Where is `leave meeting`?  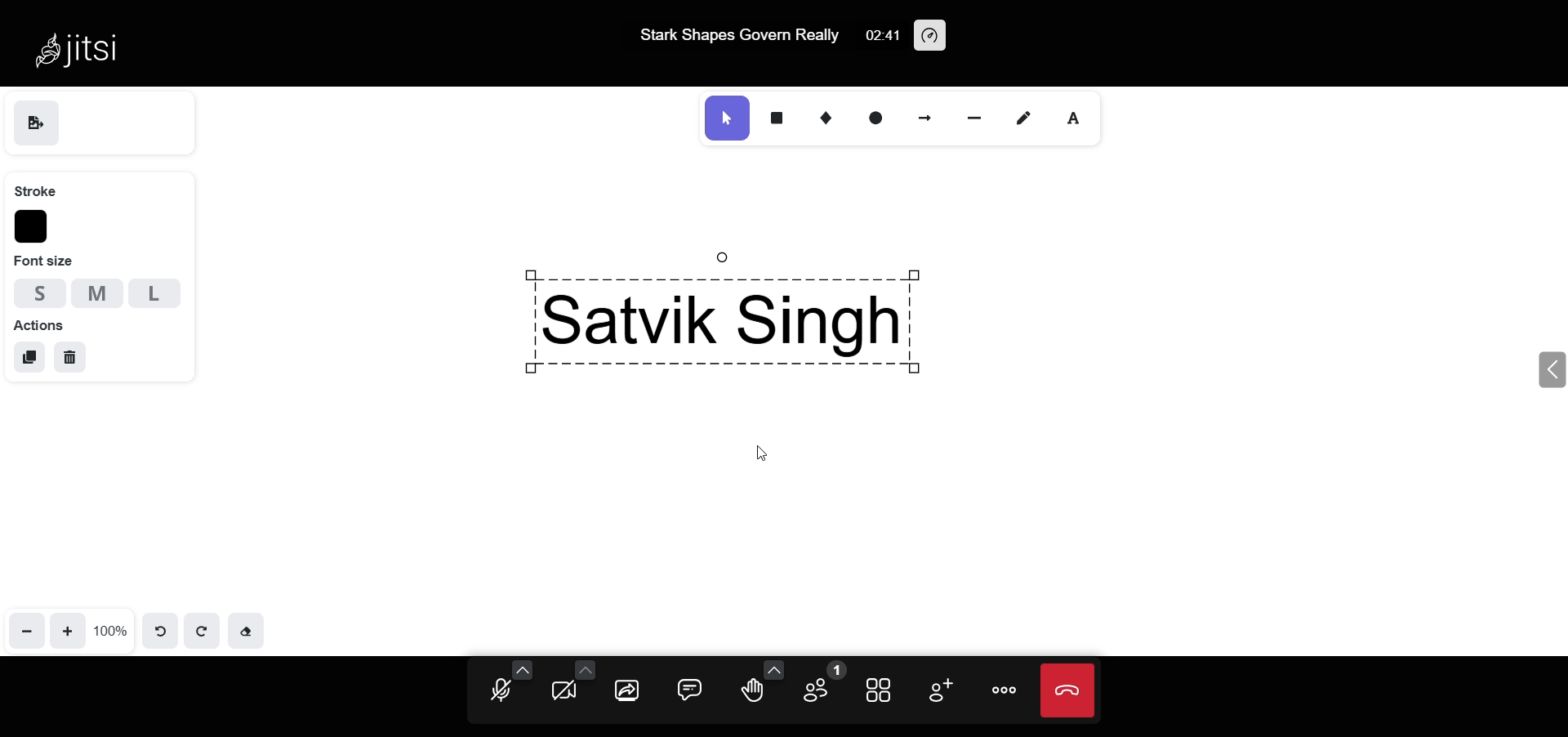 leave meeting is located at coordinates (1067, 690).